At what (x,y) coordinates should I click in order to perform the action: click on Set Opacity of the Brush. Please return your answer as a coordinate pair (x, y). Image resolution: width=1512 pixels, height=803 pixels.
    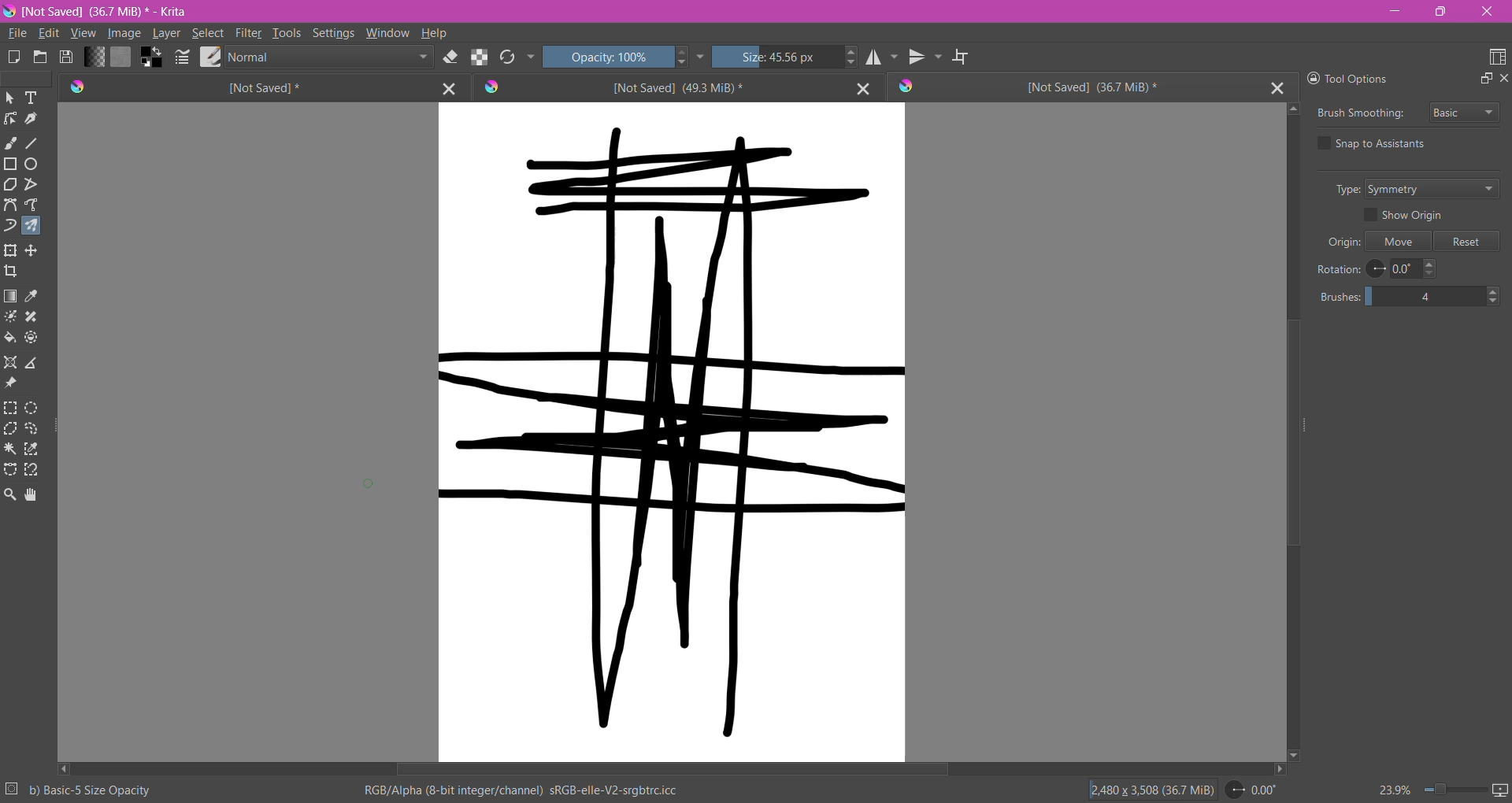
    Looking at the image, I should click on (606, 58).